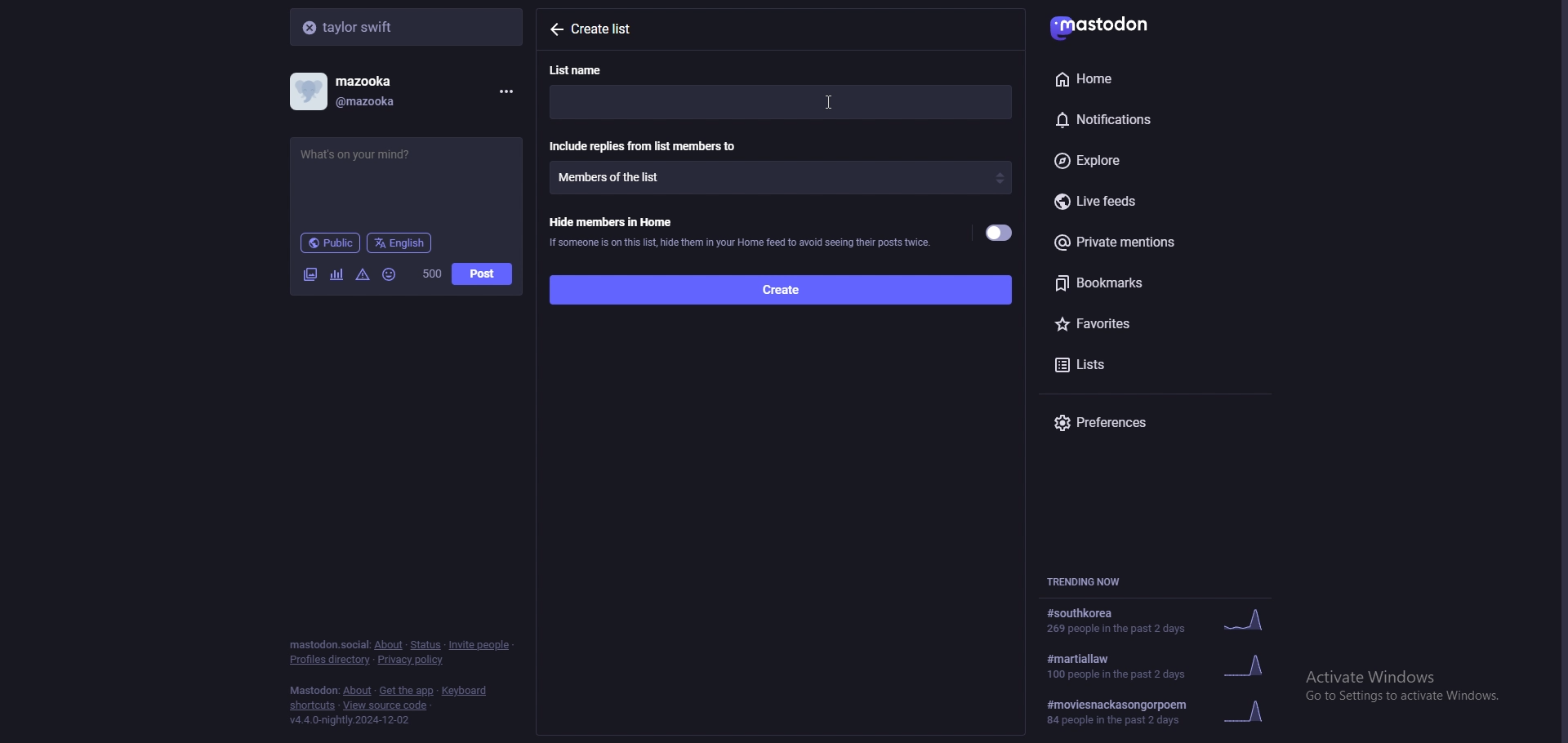  Describe the element at coordinates (482, 274) in the screenshot. I see `post` at that location.